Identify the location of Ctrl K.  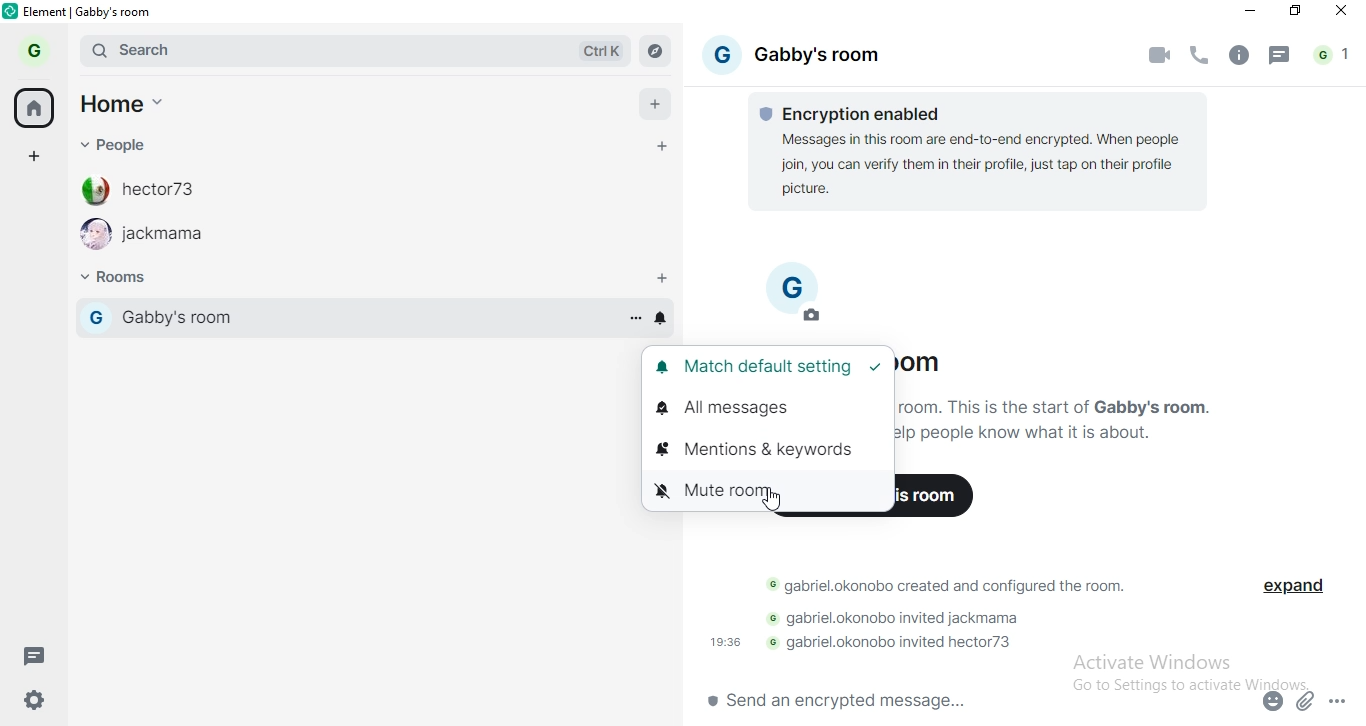
(600, 52).